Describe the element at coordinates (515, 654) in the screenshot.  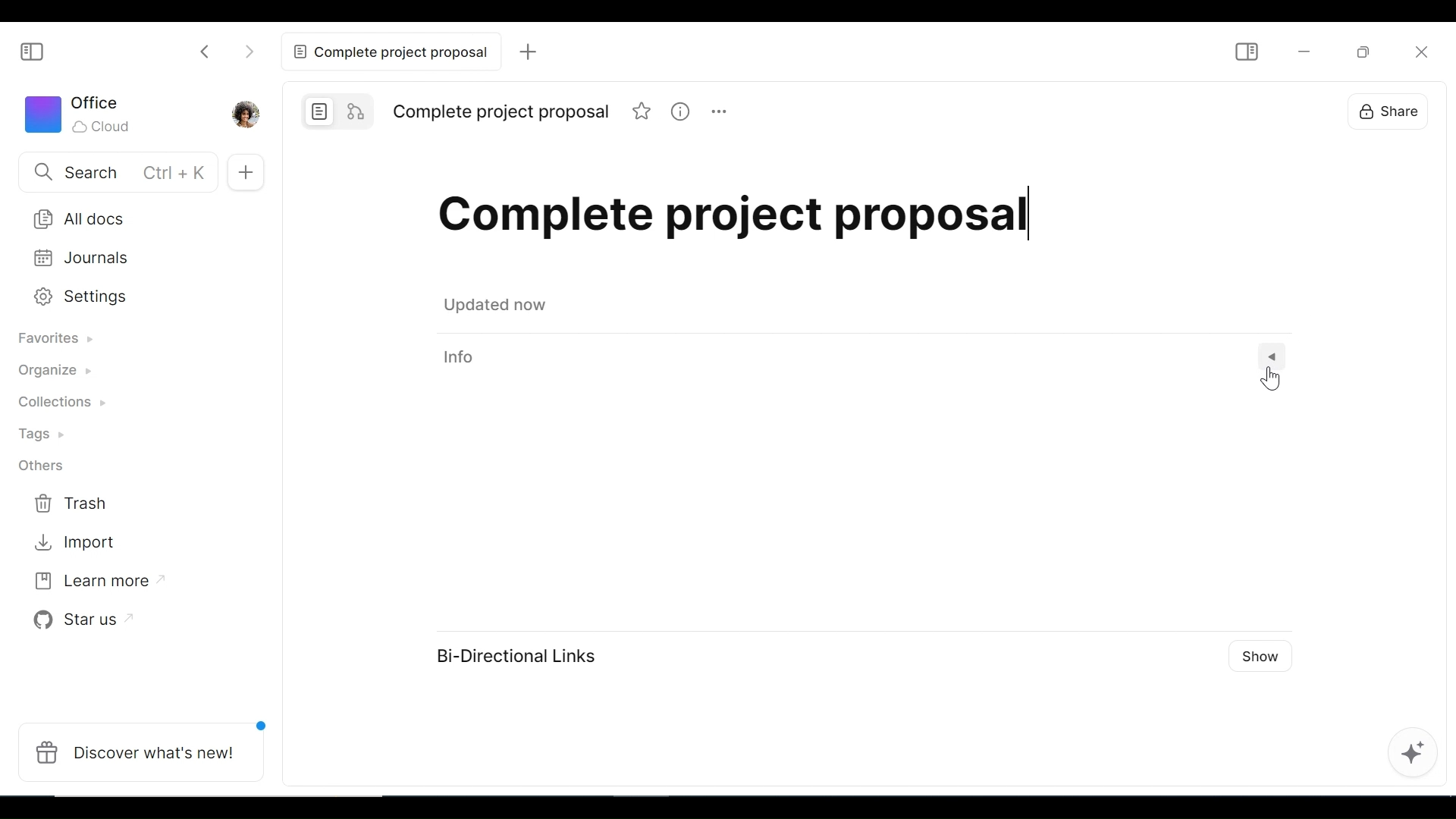
I see `Bi-Directional Links` at that location.